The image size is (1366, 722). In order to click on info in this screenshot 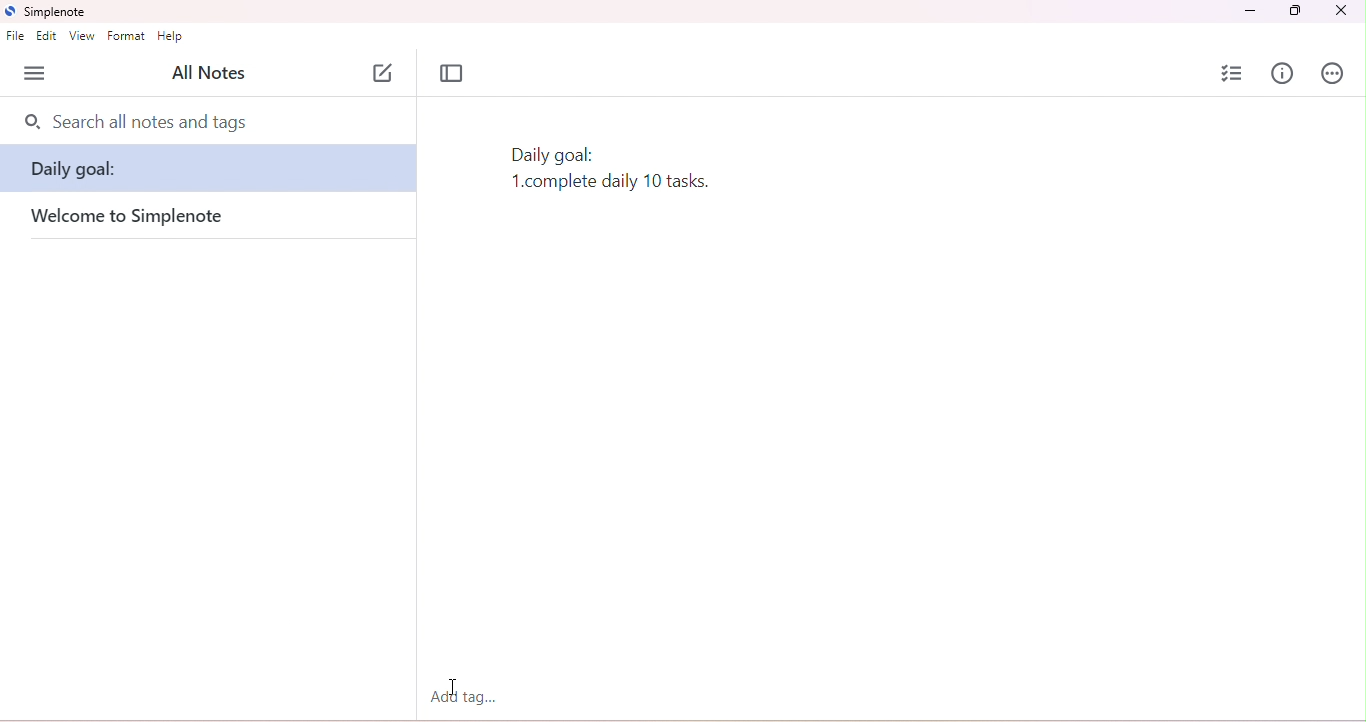, I will do `click(1281, 73)`.